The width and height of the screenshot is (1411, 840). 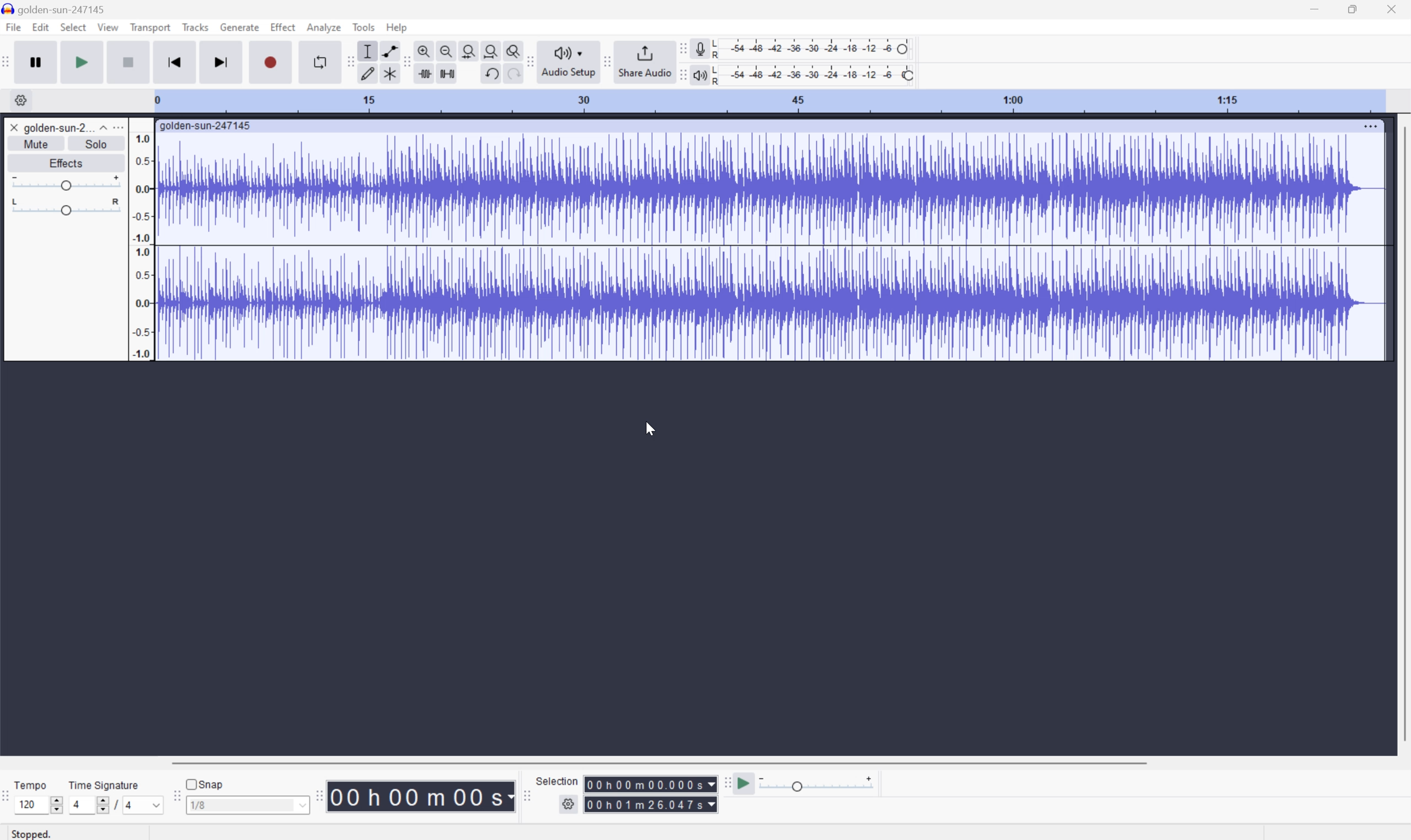 I want to click on Envelop tool, so click(x=387, y=50).